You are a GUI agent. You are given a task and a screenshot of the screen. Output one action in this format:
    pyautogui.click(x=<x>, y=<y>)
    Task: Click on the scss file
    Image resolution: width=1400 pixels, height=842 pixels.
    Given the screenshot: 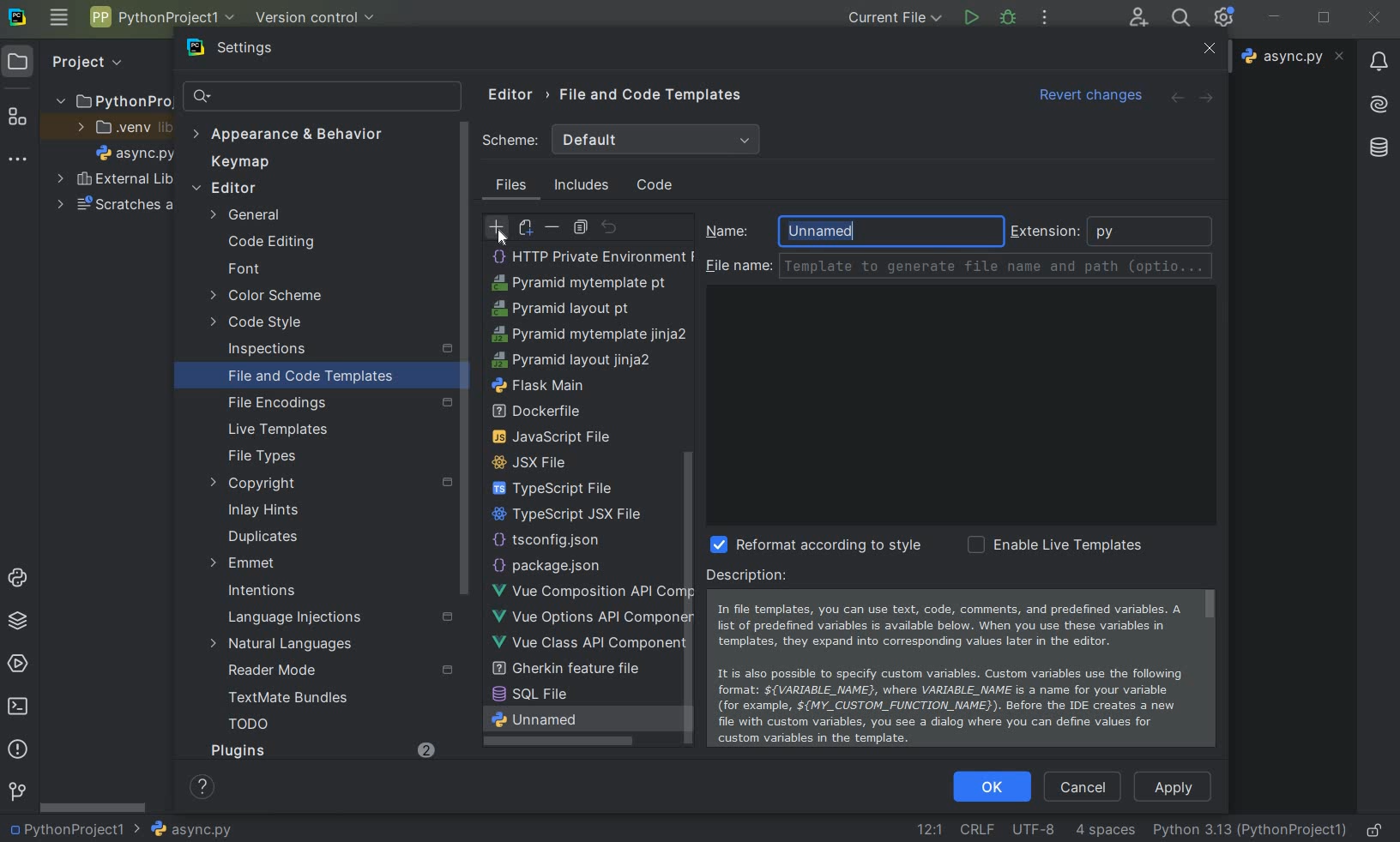 What is the action you would take?
    pyautogui.click(x=551, y=486)
    